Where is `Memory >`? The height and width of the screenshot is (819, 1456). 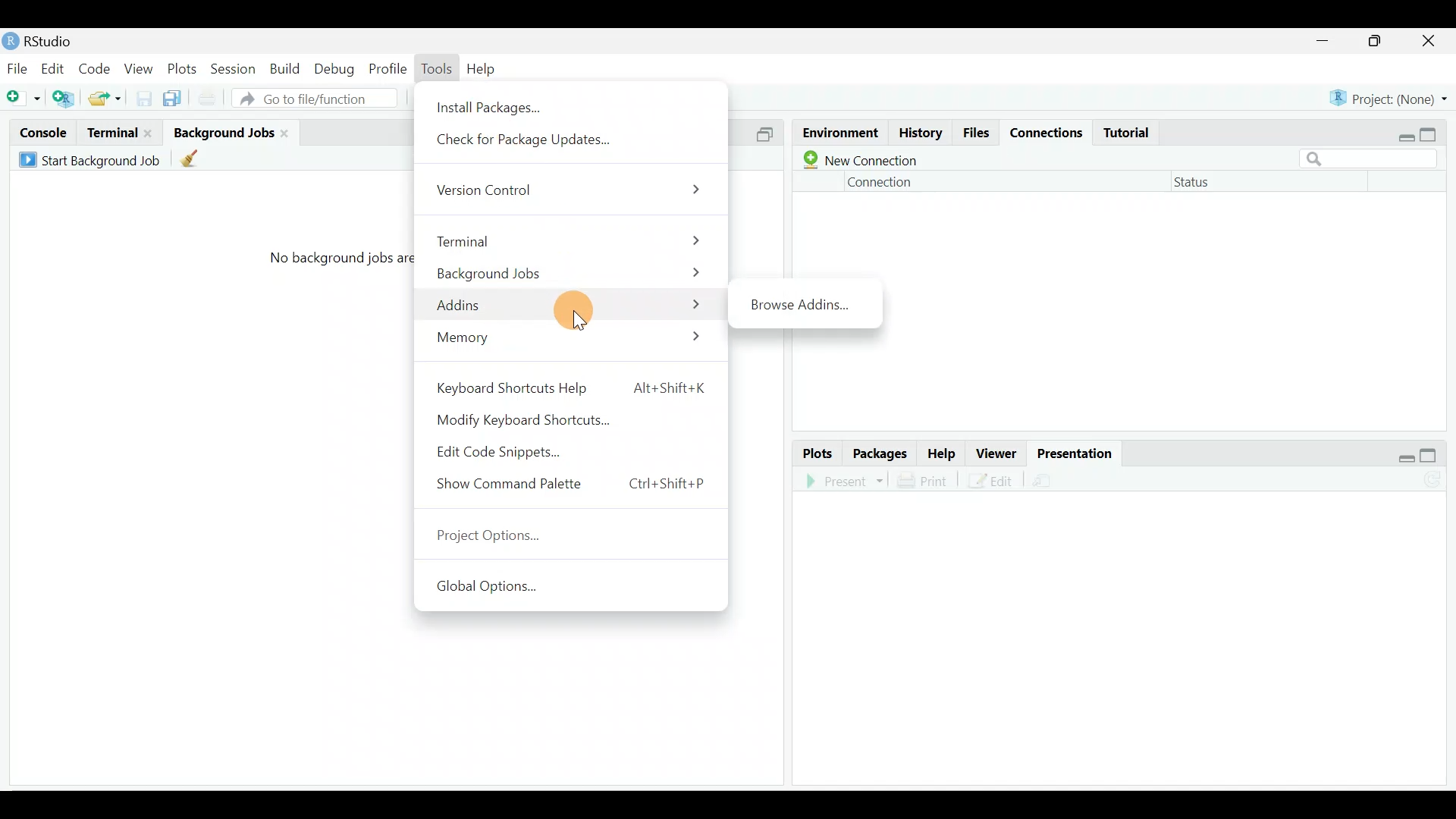 Memory > is located at coordinates (574, 340).